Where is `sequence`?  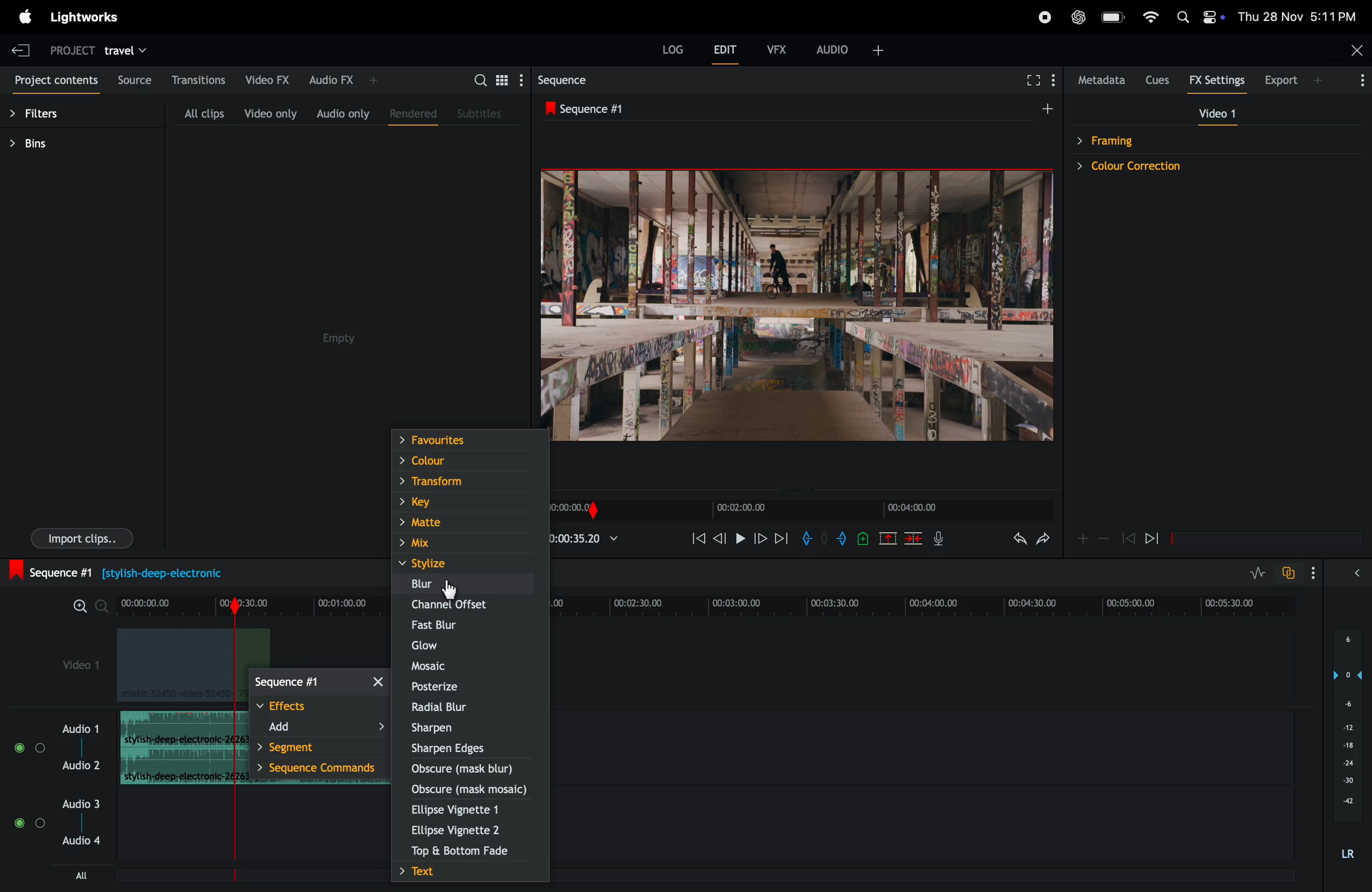
sequence is located at coordinates (576, 80).